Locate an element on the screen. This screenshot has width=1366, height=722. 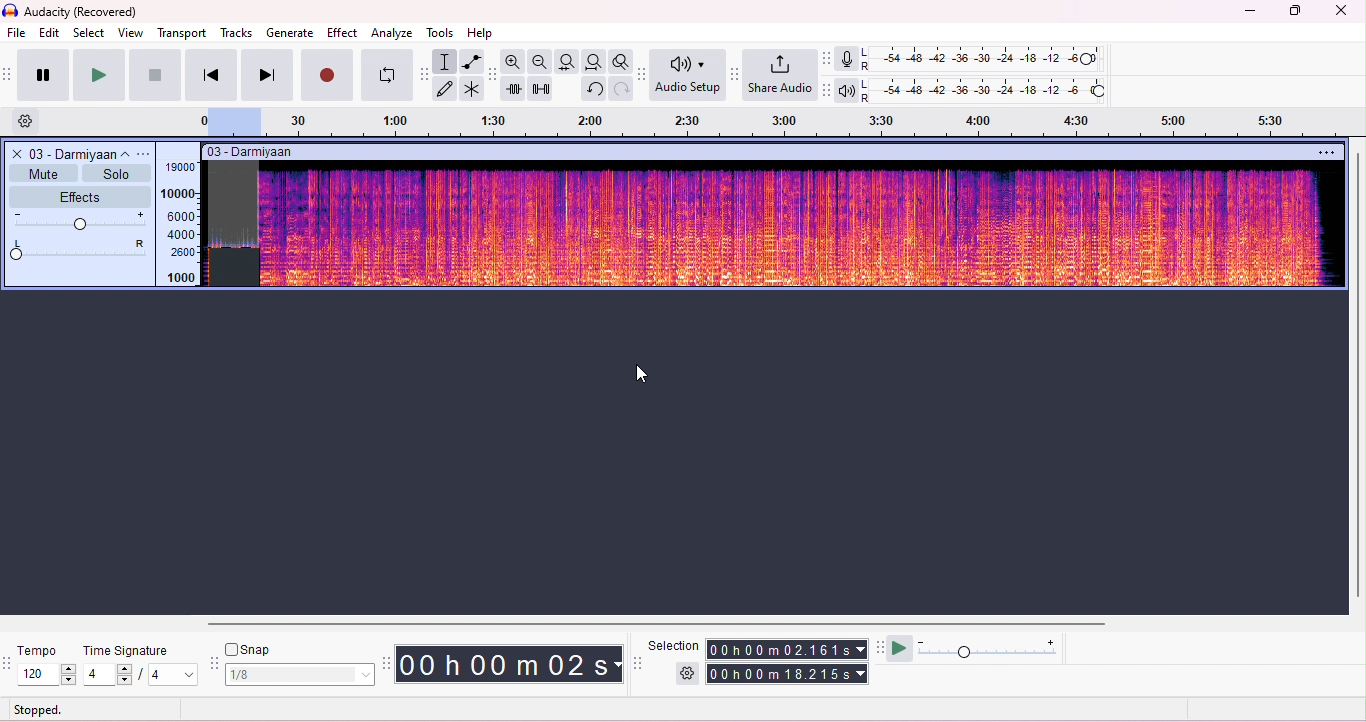
options is located at coordinates (1325, 152).